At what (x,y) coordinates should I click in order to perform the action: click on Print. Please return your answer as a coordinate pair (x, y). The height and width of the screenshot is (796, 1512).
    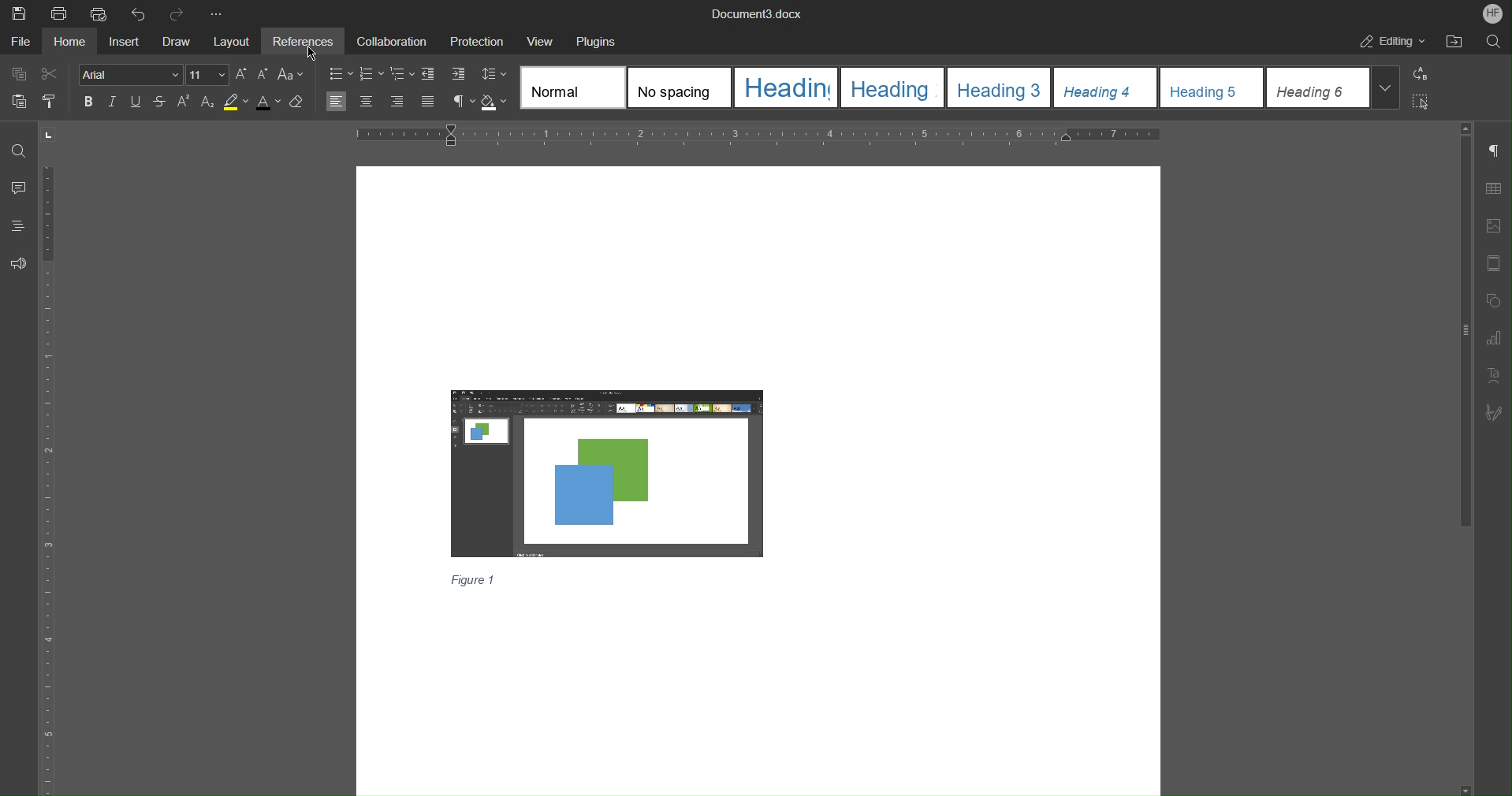
    Looking at the image, I should click on (60, 13).